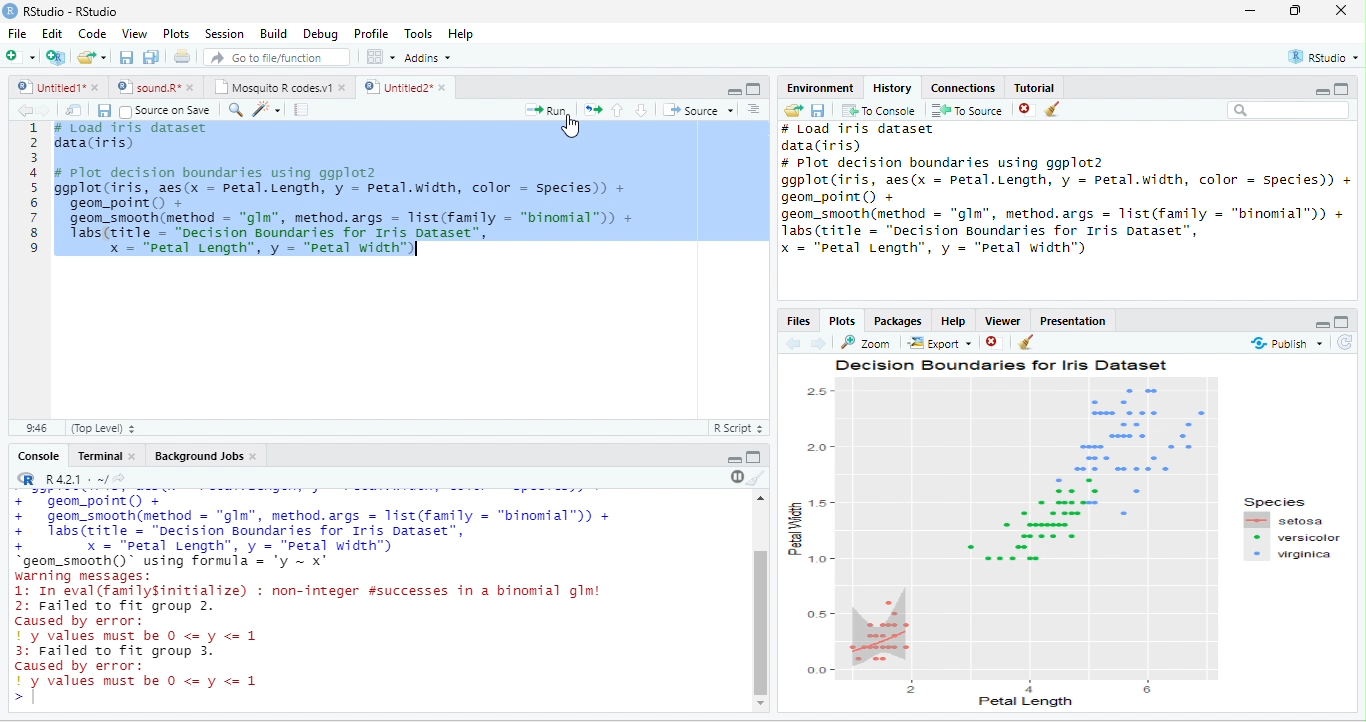  What do you see at coordinates (92, 57) in the screenshot?
I see `open file` at bounding box center [92, 57].